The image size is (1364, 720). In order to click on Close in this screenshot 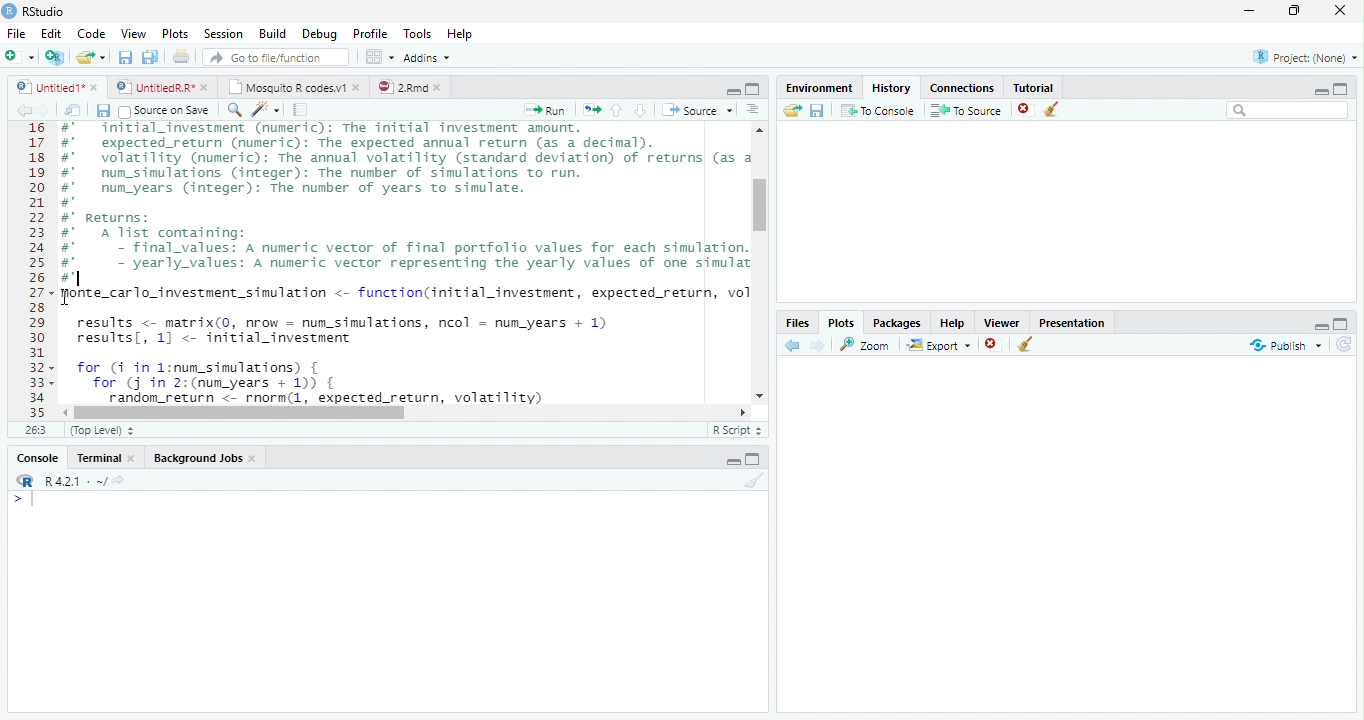, I will do `click(1342, 12)`.